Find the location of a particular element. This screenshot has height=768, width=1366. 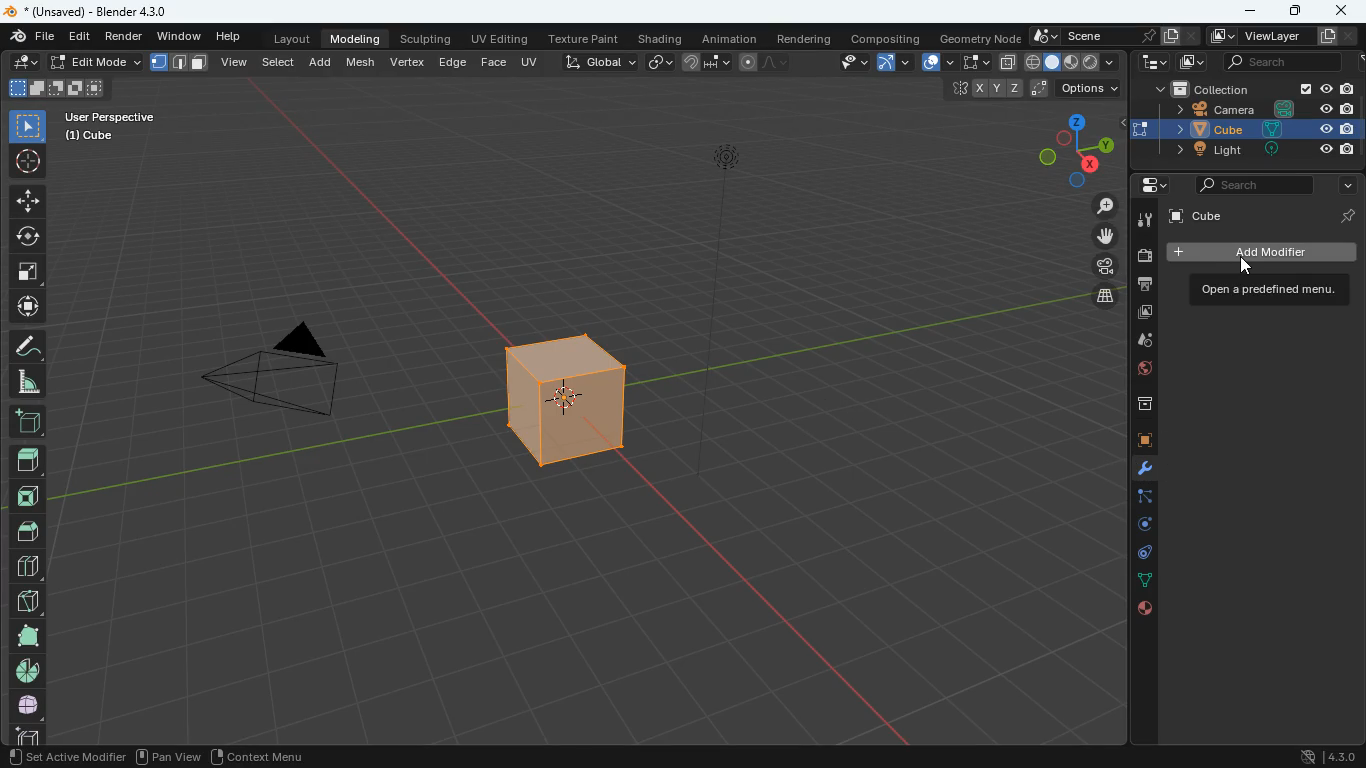

camera is located at coordinates (1098, 264).